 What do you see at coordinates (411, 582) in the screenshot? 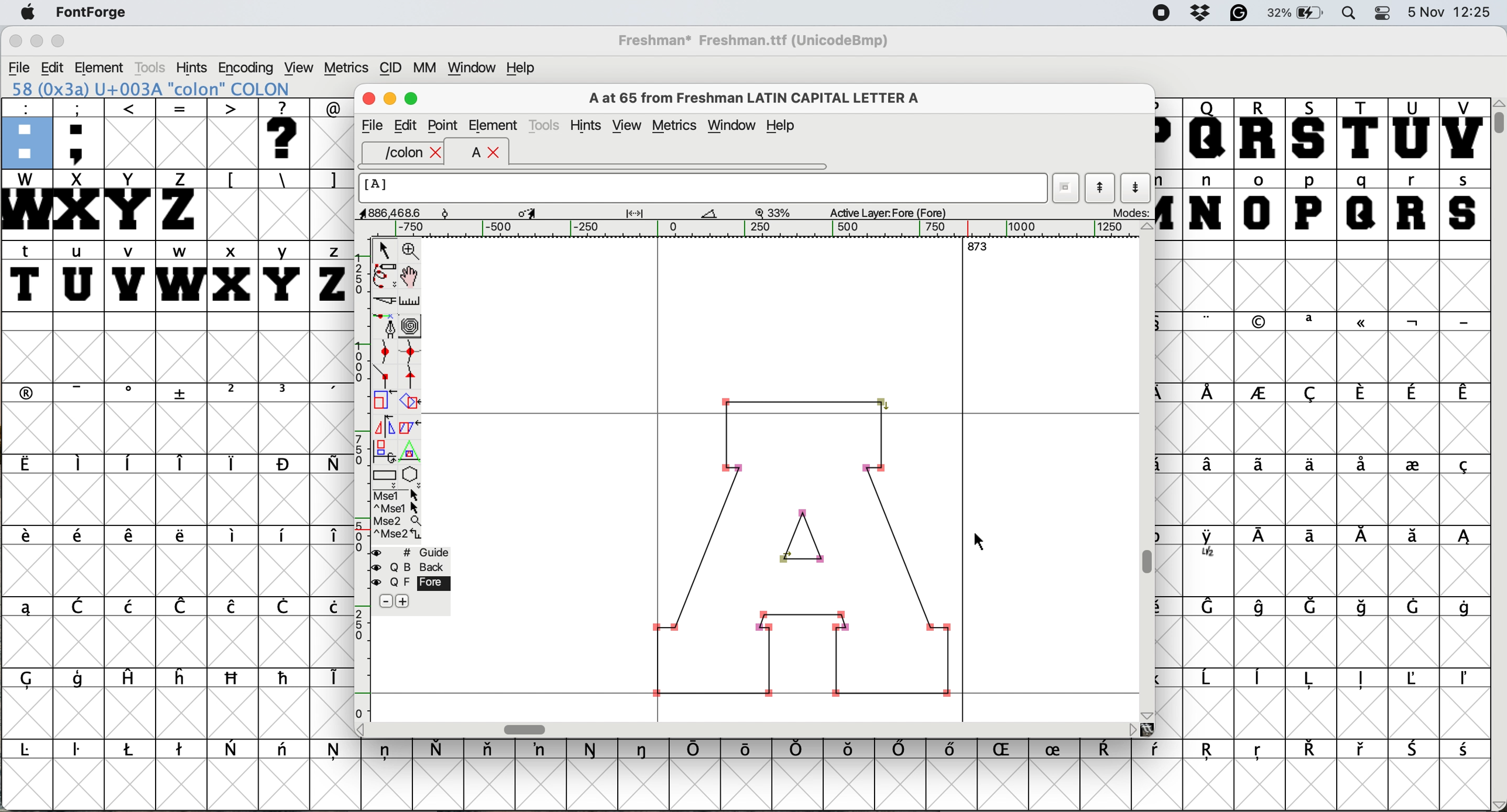
I see `fore` at bounding box center [411, 582].